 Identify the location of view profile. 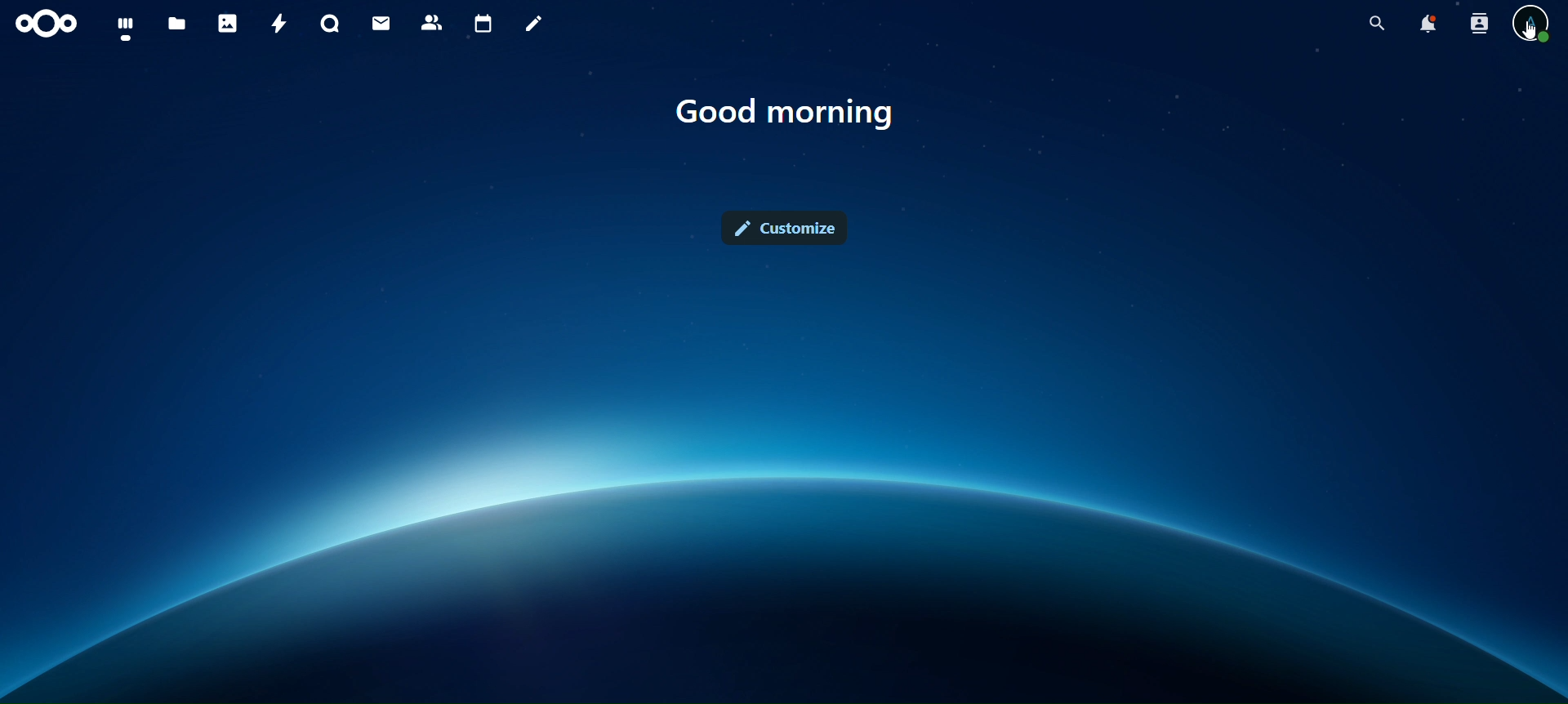
(1530, 24).